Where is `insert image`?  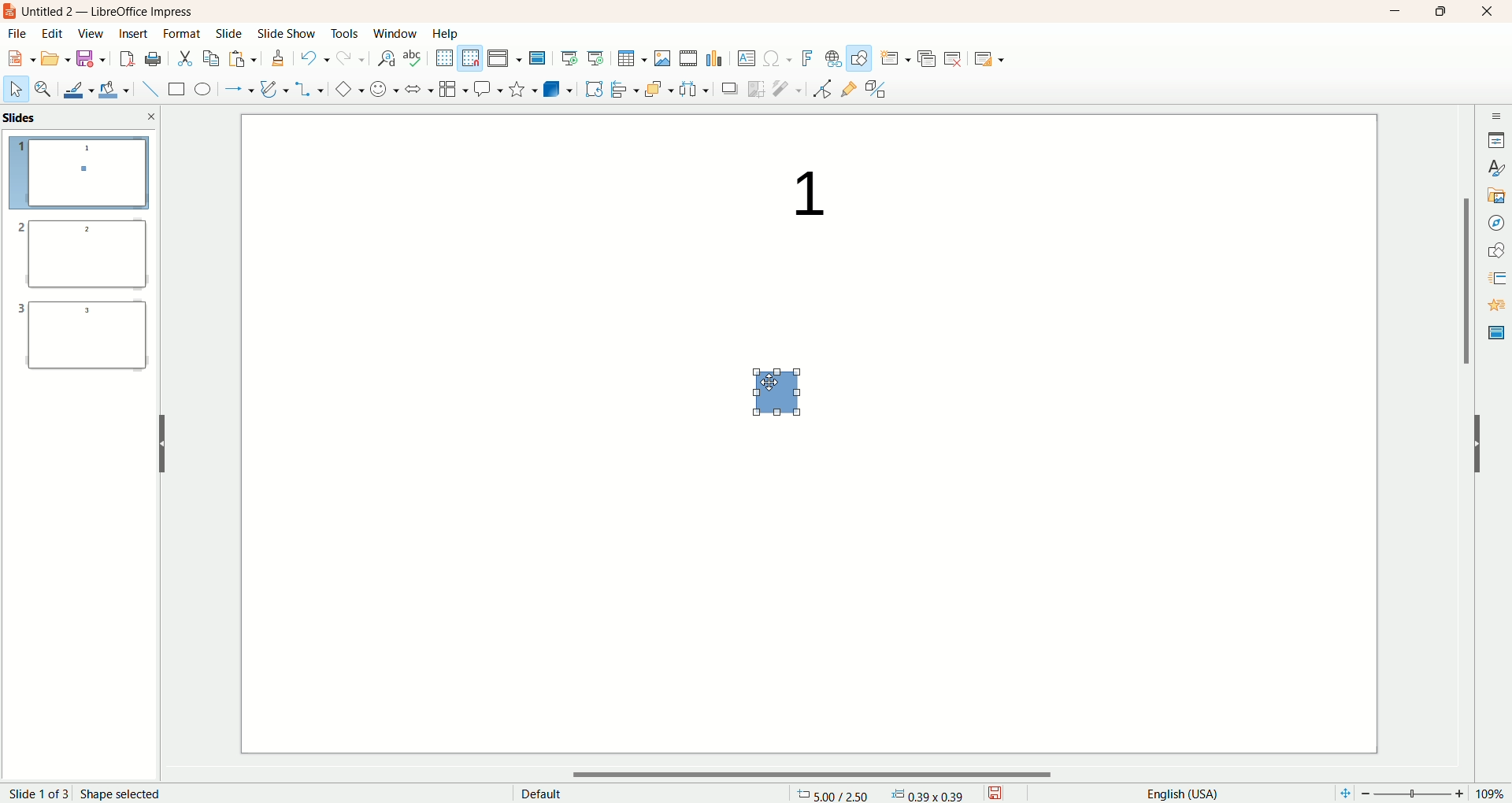 insert image is located at coordinates (663, 57).